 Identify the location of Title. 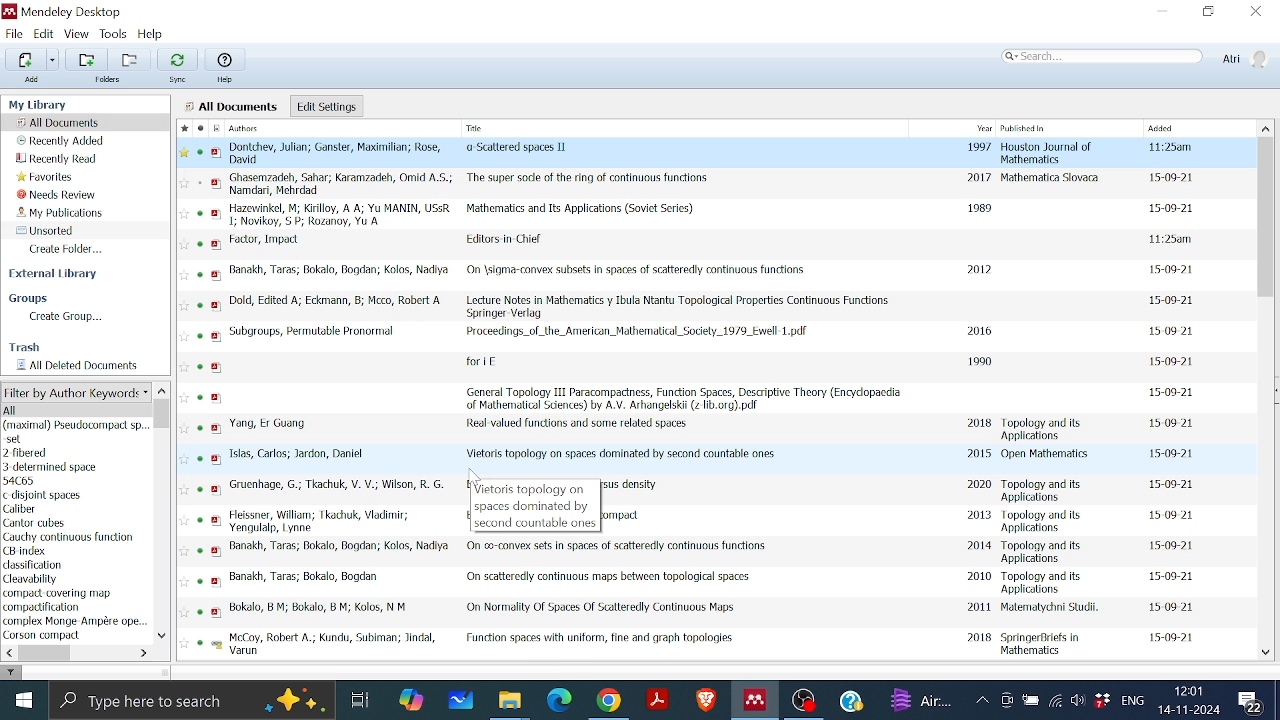
(597, 638).